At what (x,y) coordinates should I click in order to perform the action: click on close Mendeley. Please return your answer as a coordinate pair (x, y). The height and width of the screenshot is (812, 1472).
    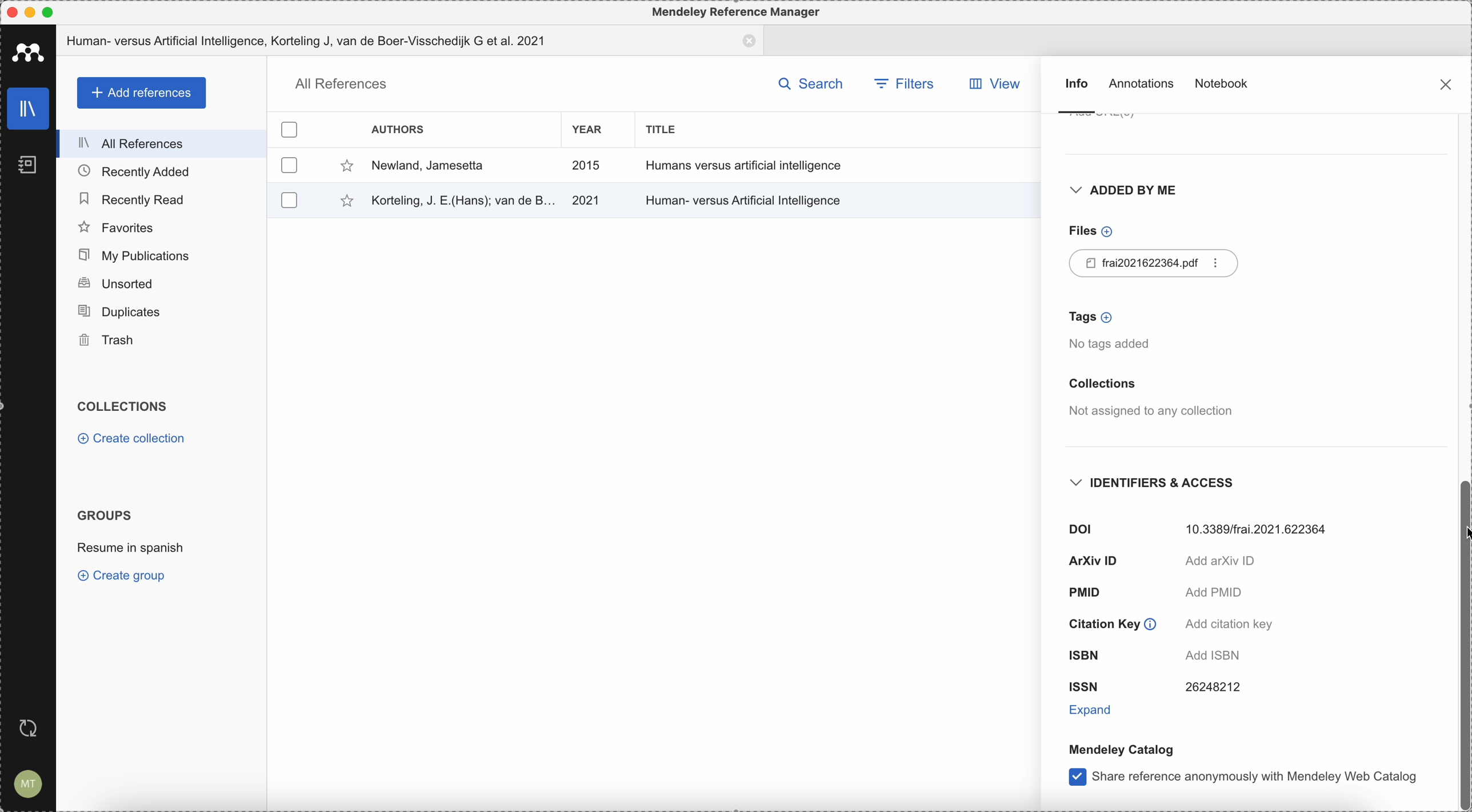
    Looking at the image, I should click on (11, 11).